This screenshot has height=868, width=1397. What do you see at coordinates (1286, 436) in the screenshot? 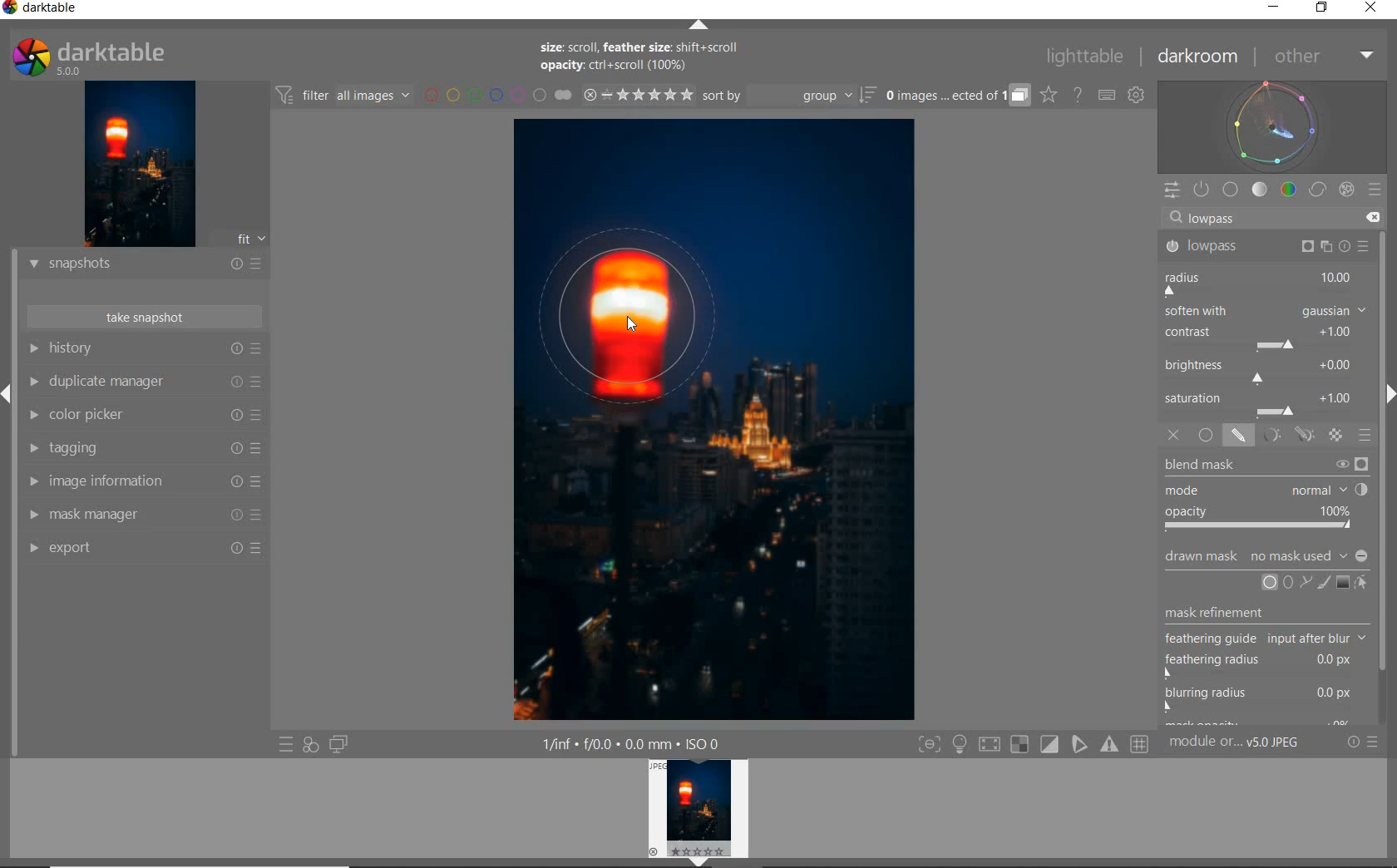
I see `MASK OPTIONS` at bounding box center [1286, 436].